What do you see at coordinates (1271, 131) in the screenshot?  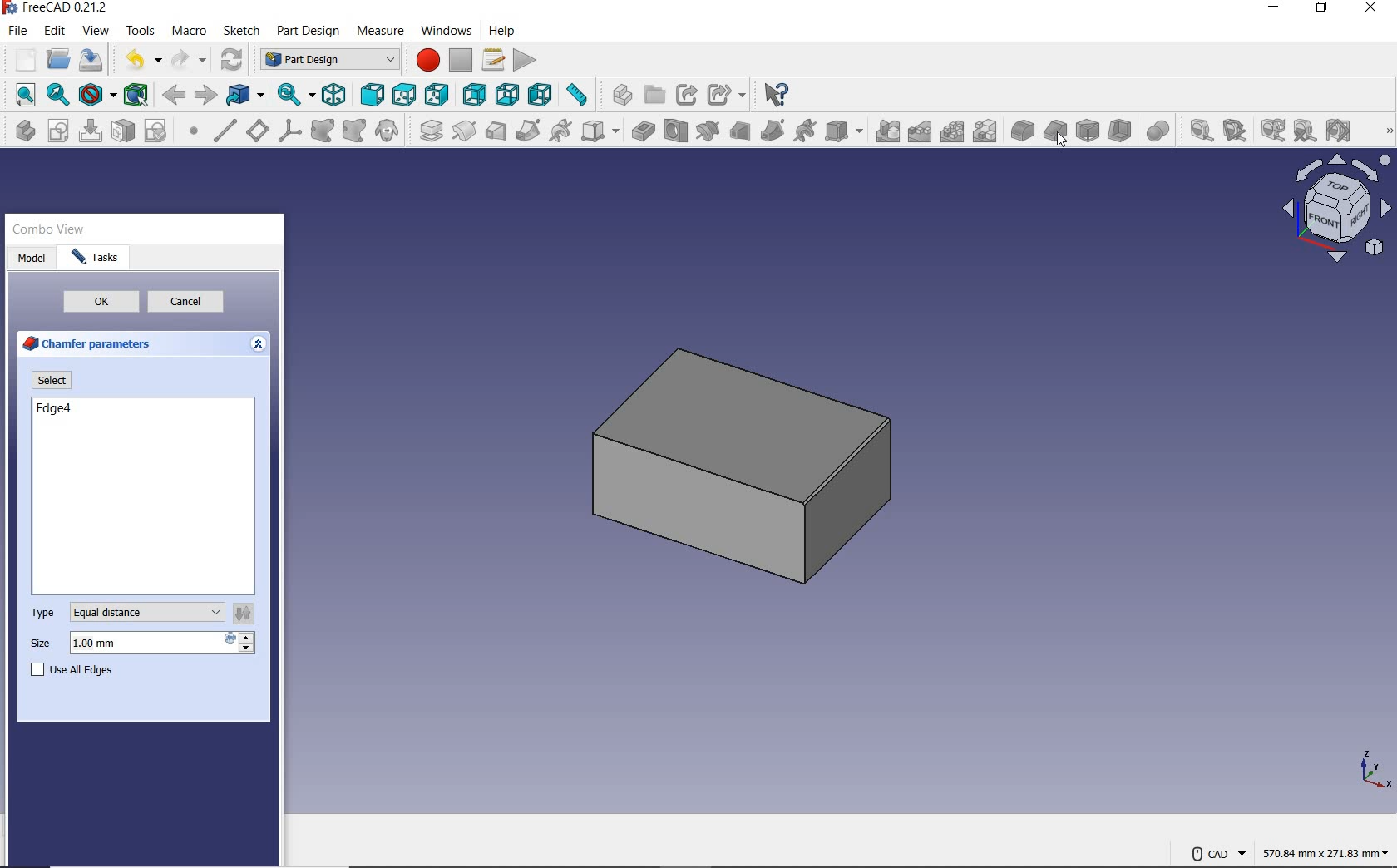 I see `refresh` at bounding box center [1271, 131].